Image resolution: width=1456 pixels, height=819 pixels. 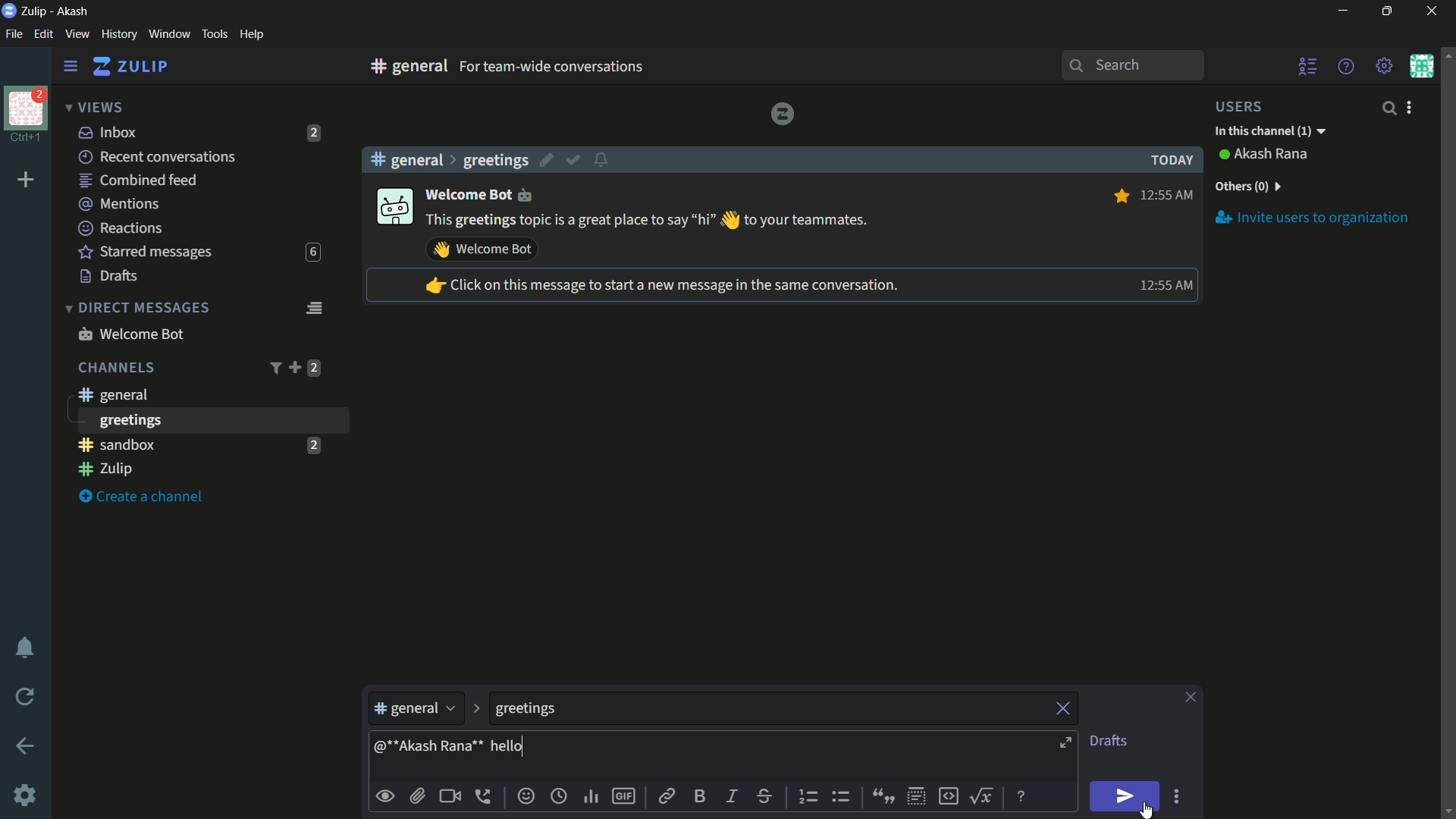 I want to click on hello, so click(x=508, y=746).